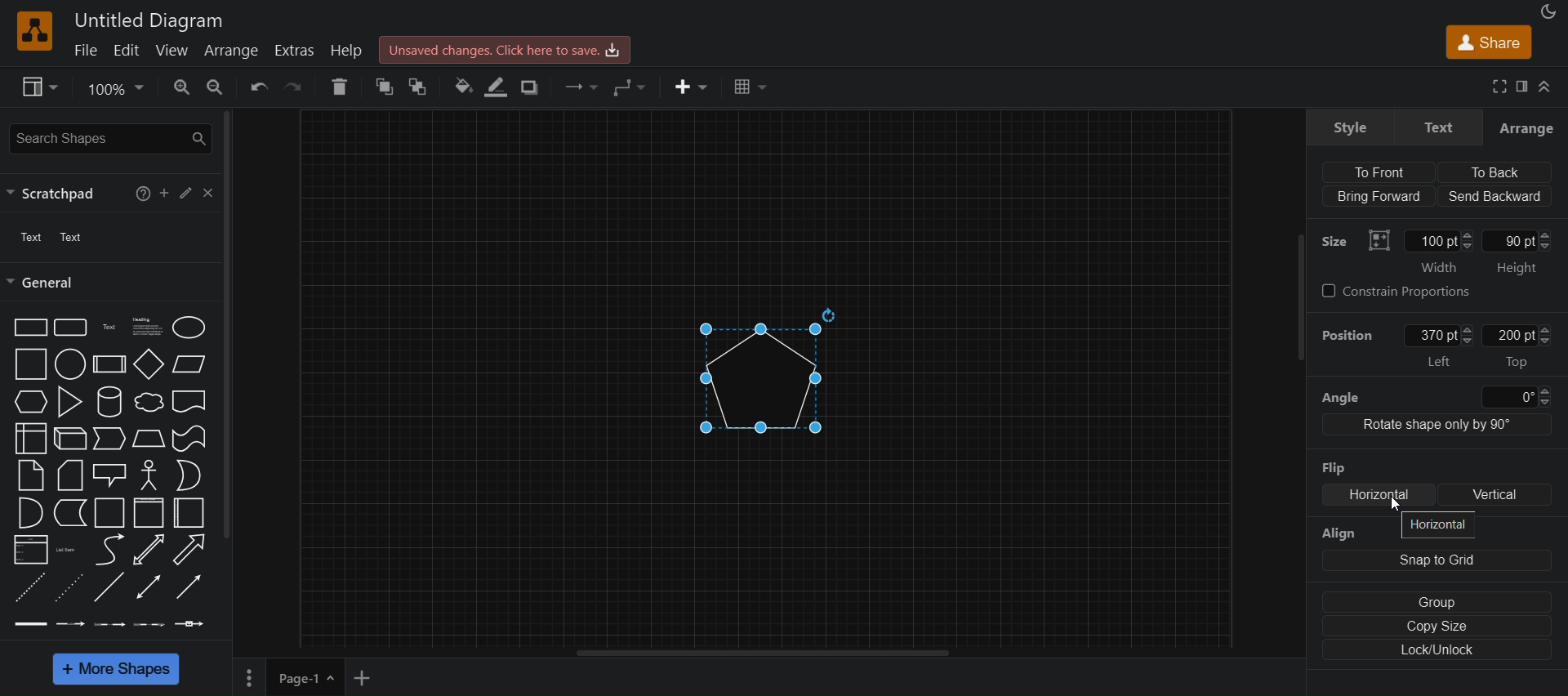 This screenshot has height=696, width=1568. What do you see at coordinates (110, 550) in the screenshot?
I see `Curve` at bounding box center [110, 550].